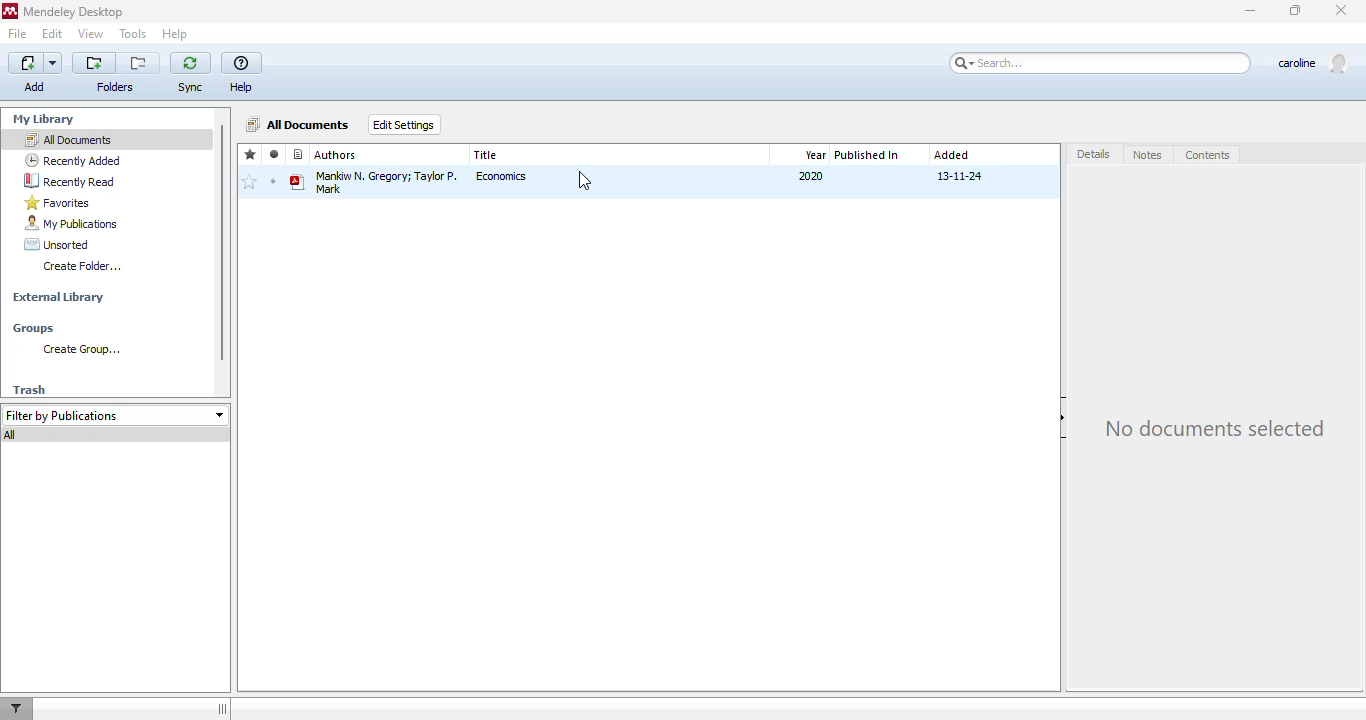  Describe the element at coordinates (868, 155) in the screenshot. I see `published in` at that location.